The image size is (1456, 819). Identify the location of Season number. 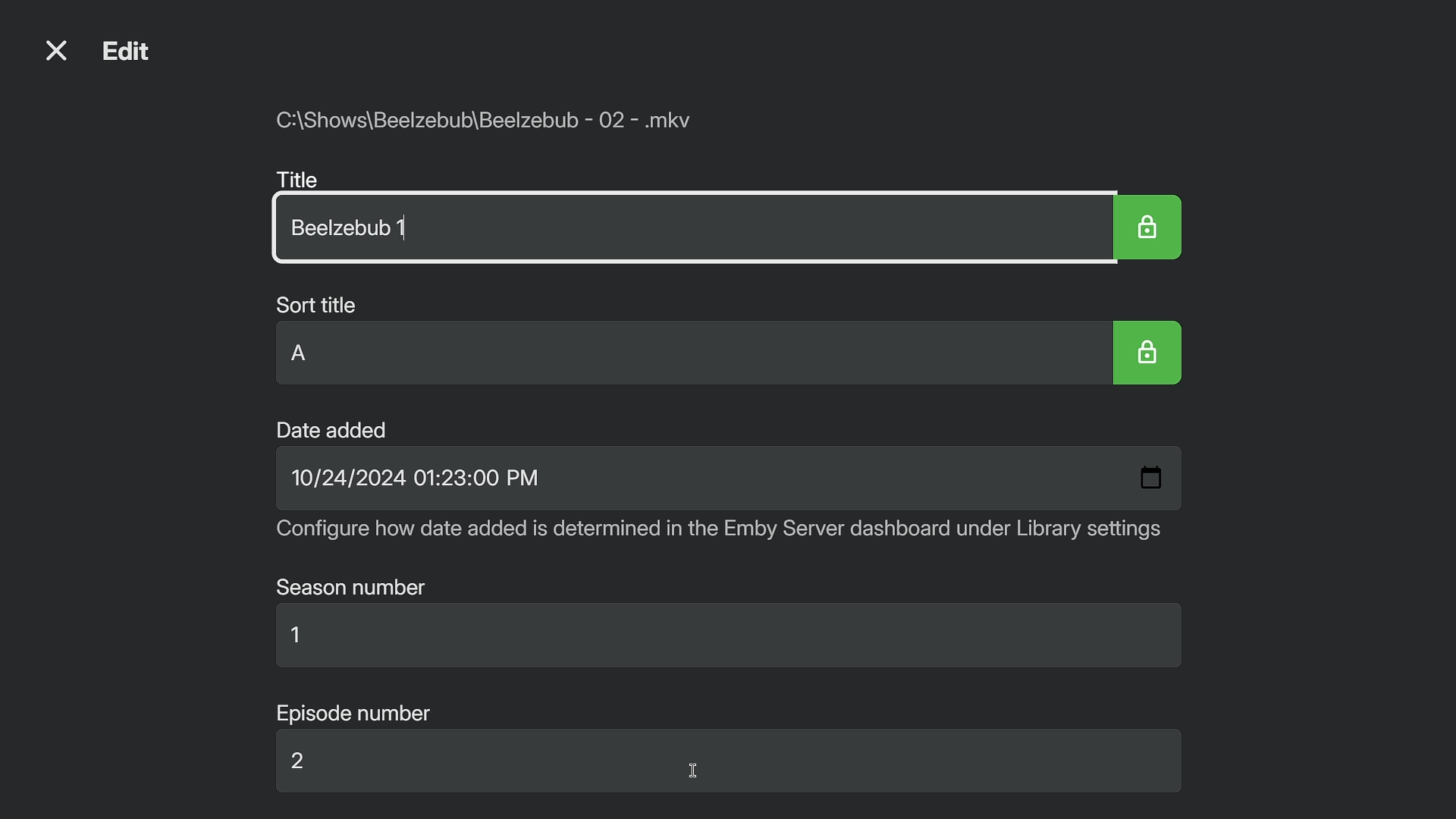
(353, 587).